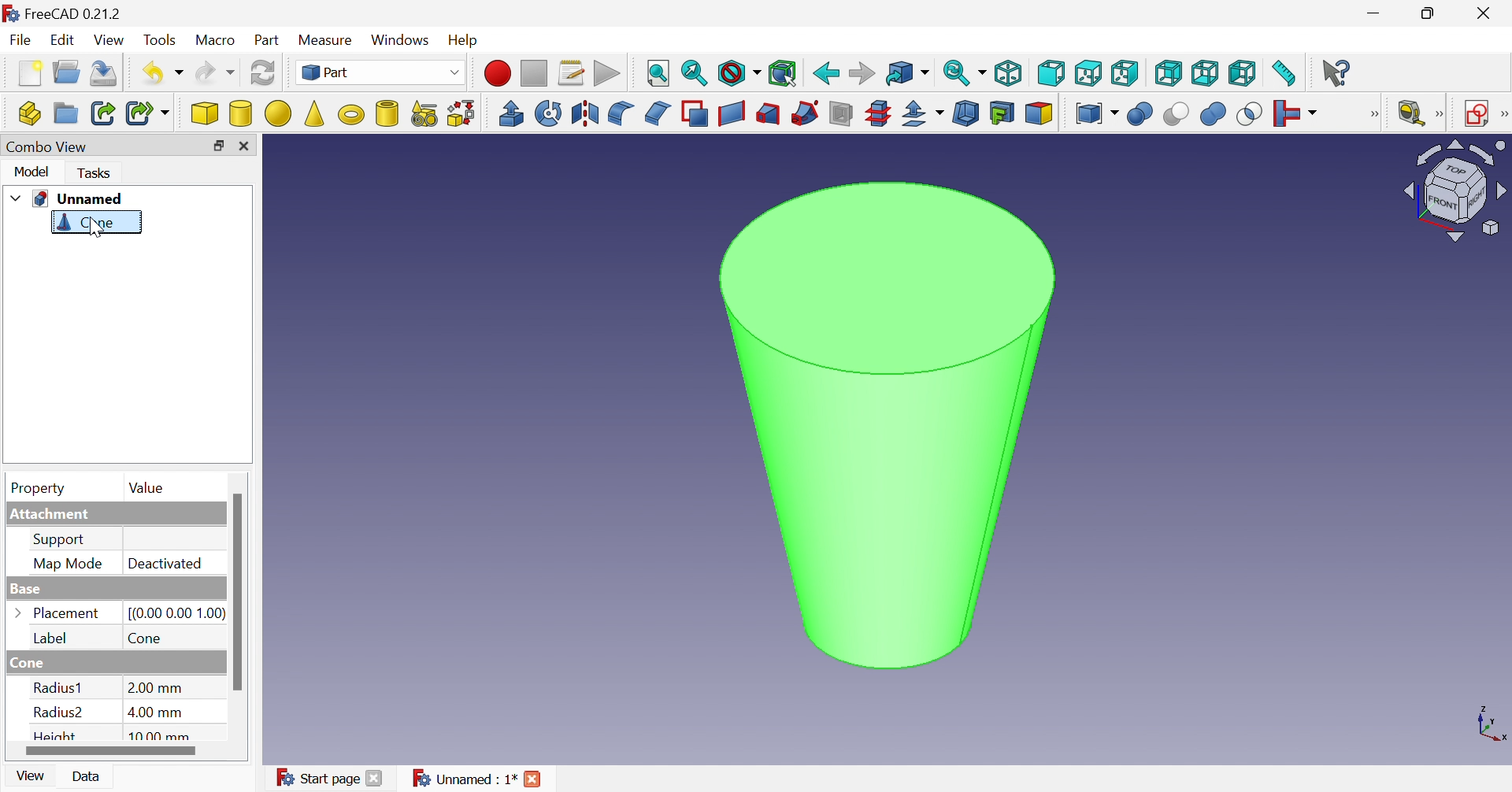  What do you see at coordinates (13, 199) in the screenshot?
I see `Drop down` at bounding box center [13, 199].